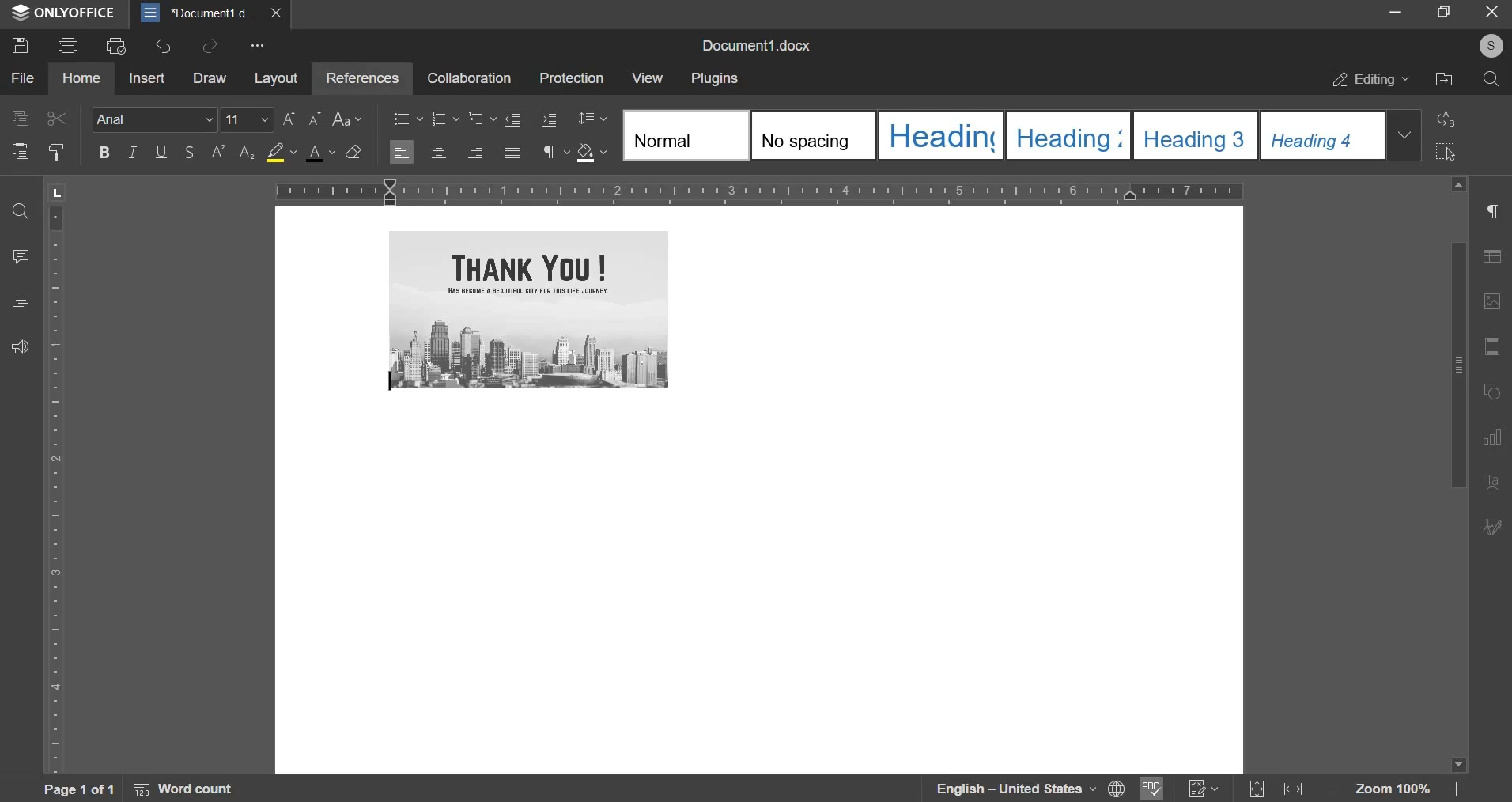 The image size is (1512, 802). What do you see at coordinates (759, 190) in the screenshot?
I see `horizontal scale` at bounding box center [759, 190].